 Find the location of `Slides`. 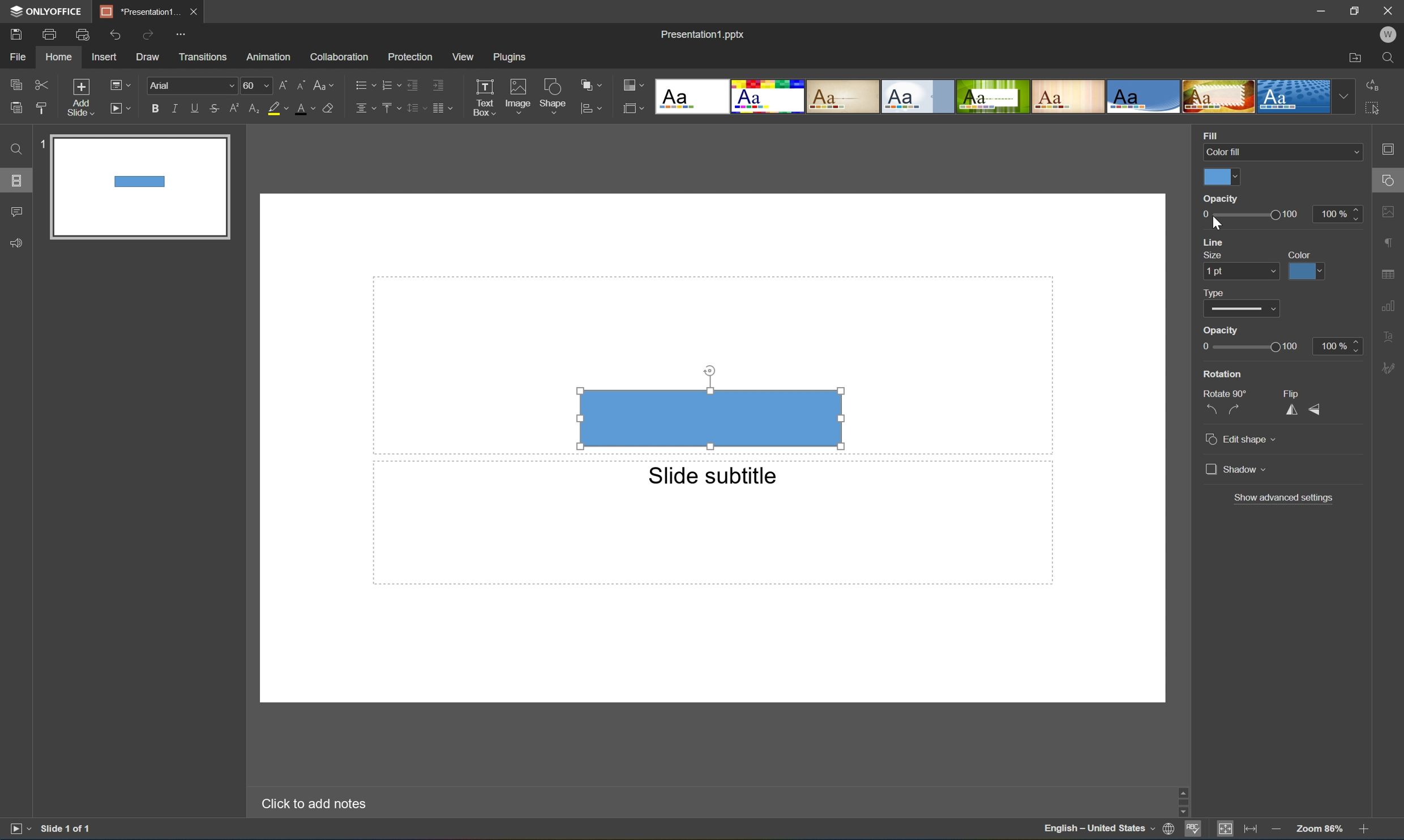

Slides is located at coordinates (16, 179).